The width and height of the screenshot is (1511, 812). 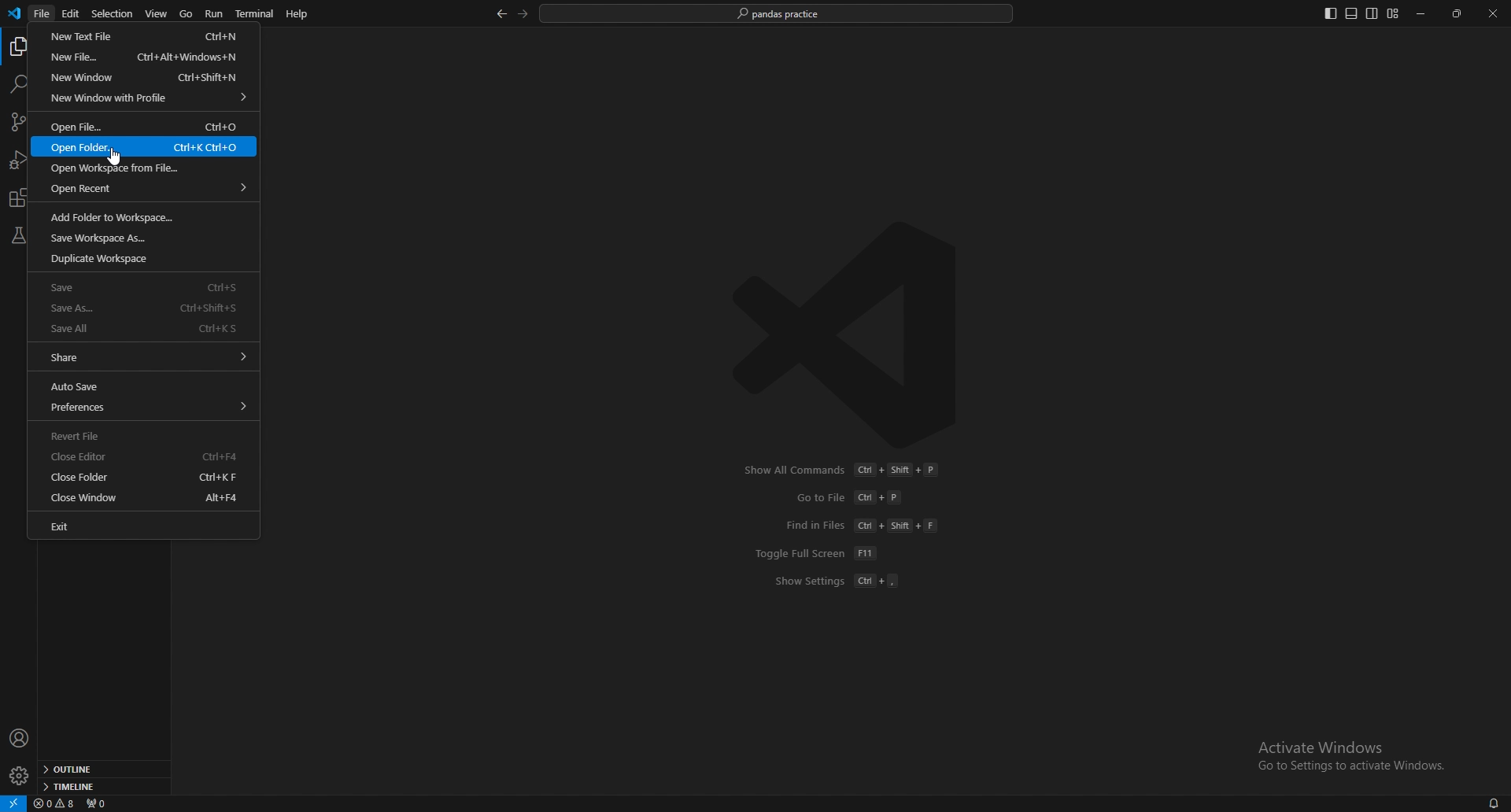 What do you see at coordinates (141, 259) in the screenshot?
I see `duplicate workspace` at bounding box center [141, 259].